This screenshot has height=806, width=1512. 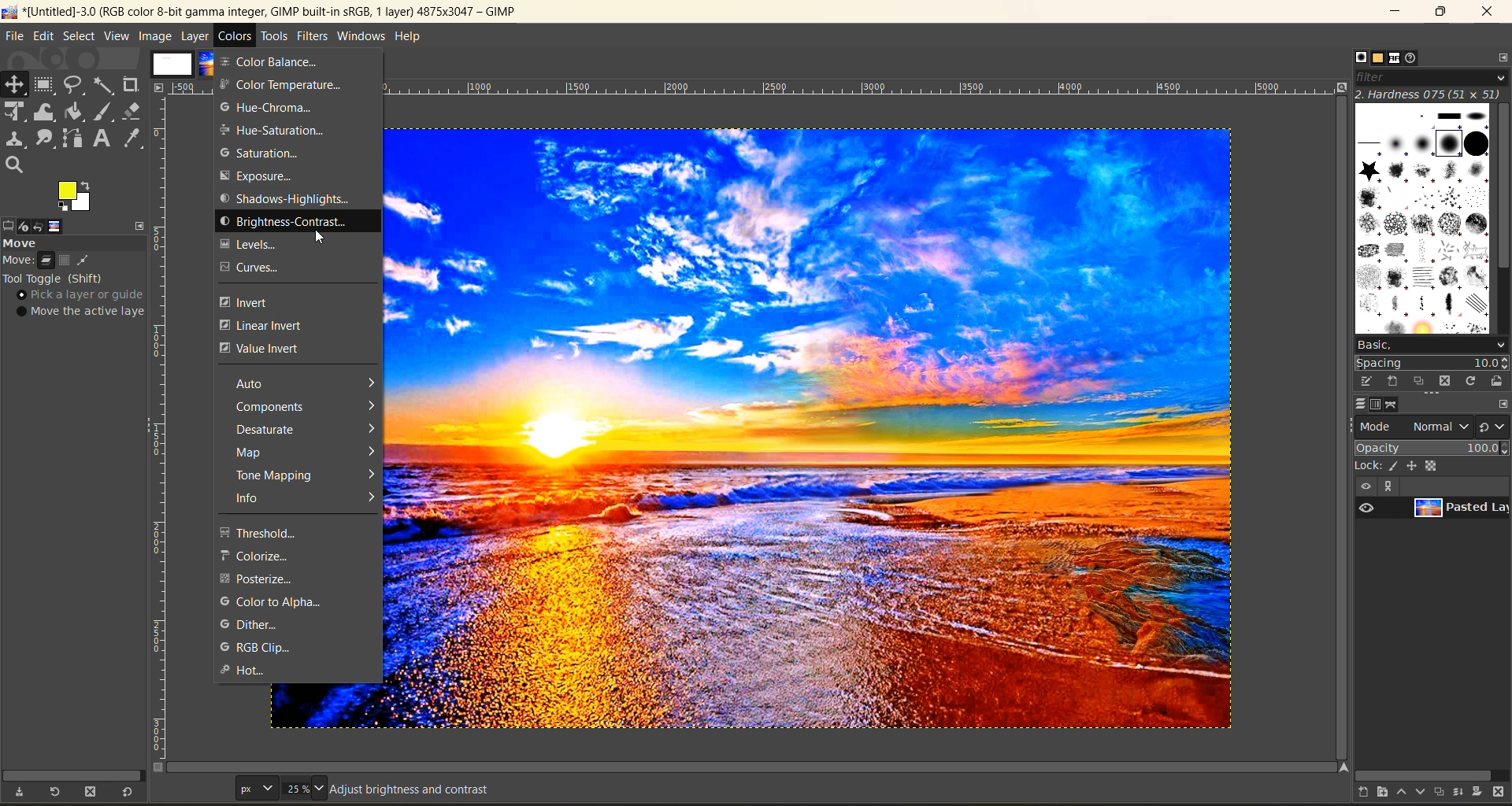 I want to click on posterize, so click(x=261, y=579).